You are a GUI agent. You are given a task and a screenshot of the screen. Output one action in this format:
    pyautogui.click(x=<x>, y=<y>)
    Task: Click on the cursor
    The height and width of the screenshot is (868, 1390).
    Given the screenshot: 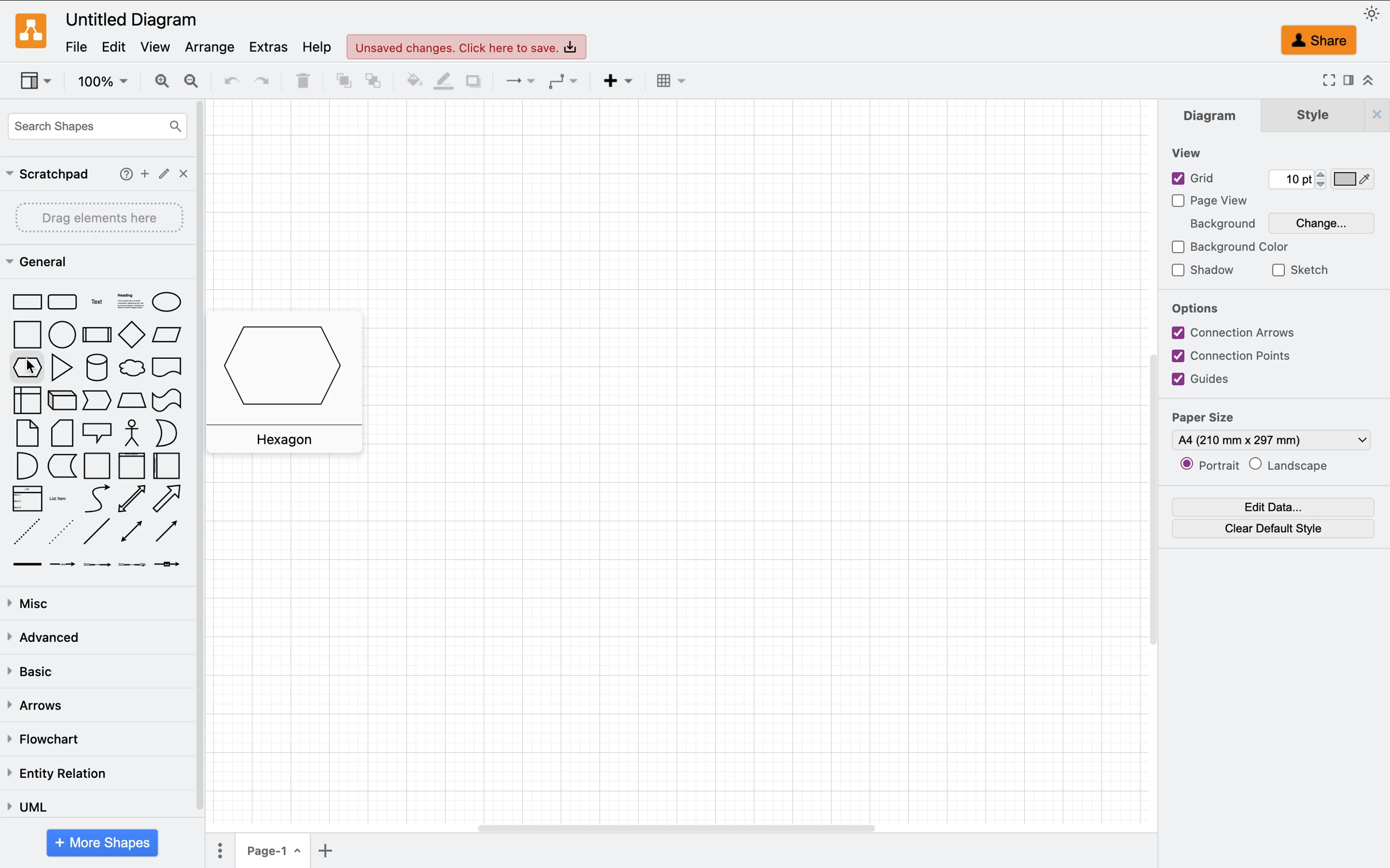 What is the action you would take?
    pyautogui.click(x=32, y=367)
    